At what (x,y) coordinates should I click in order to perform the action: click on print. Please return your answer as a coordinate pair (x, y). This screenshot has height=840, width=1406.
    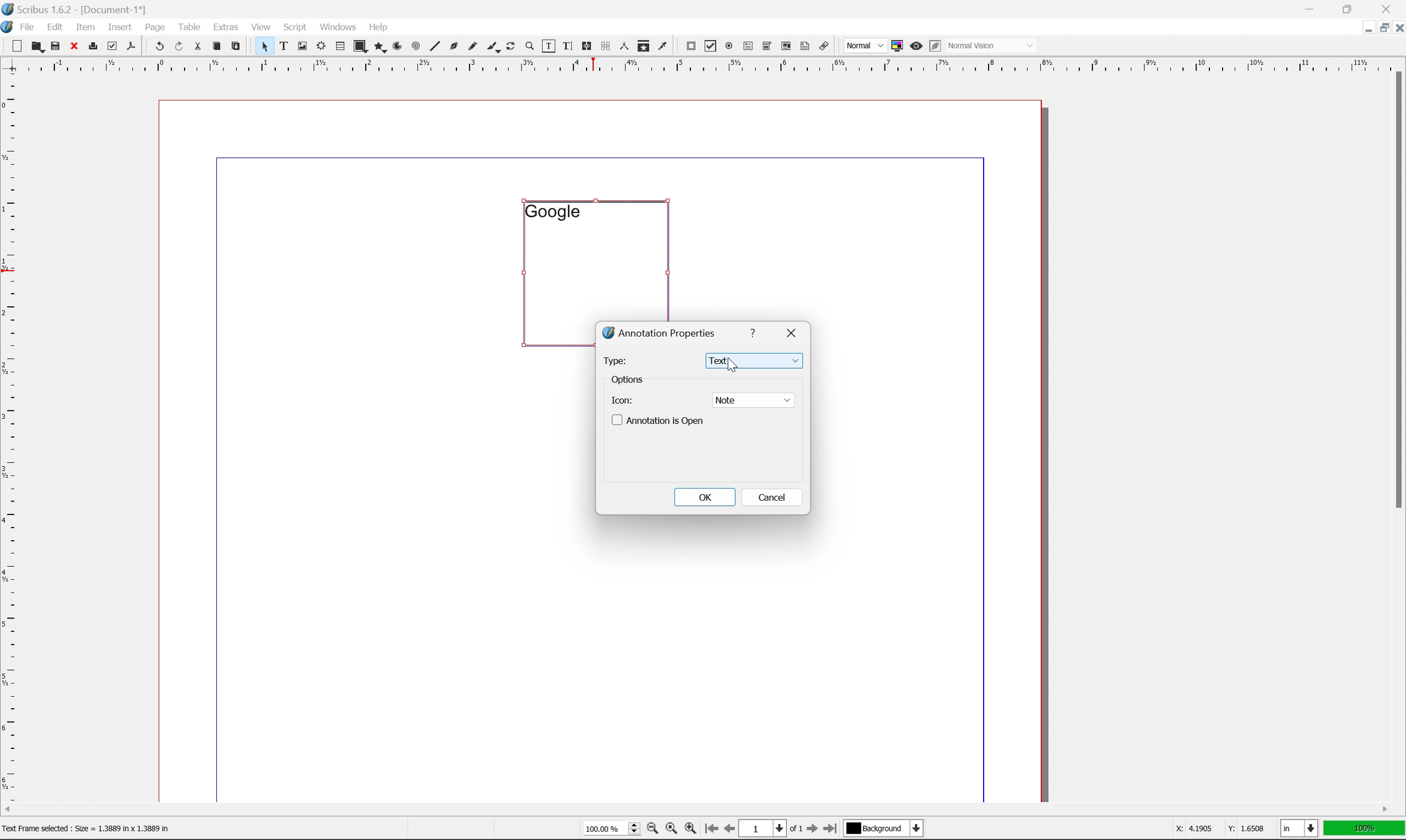
    Looking at the image, I should click on (92, 47).